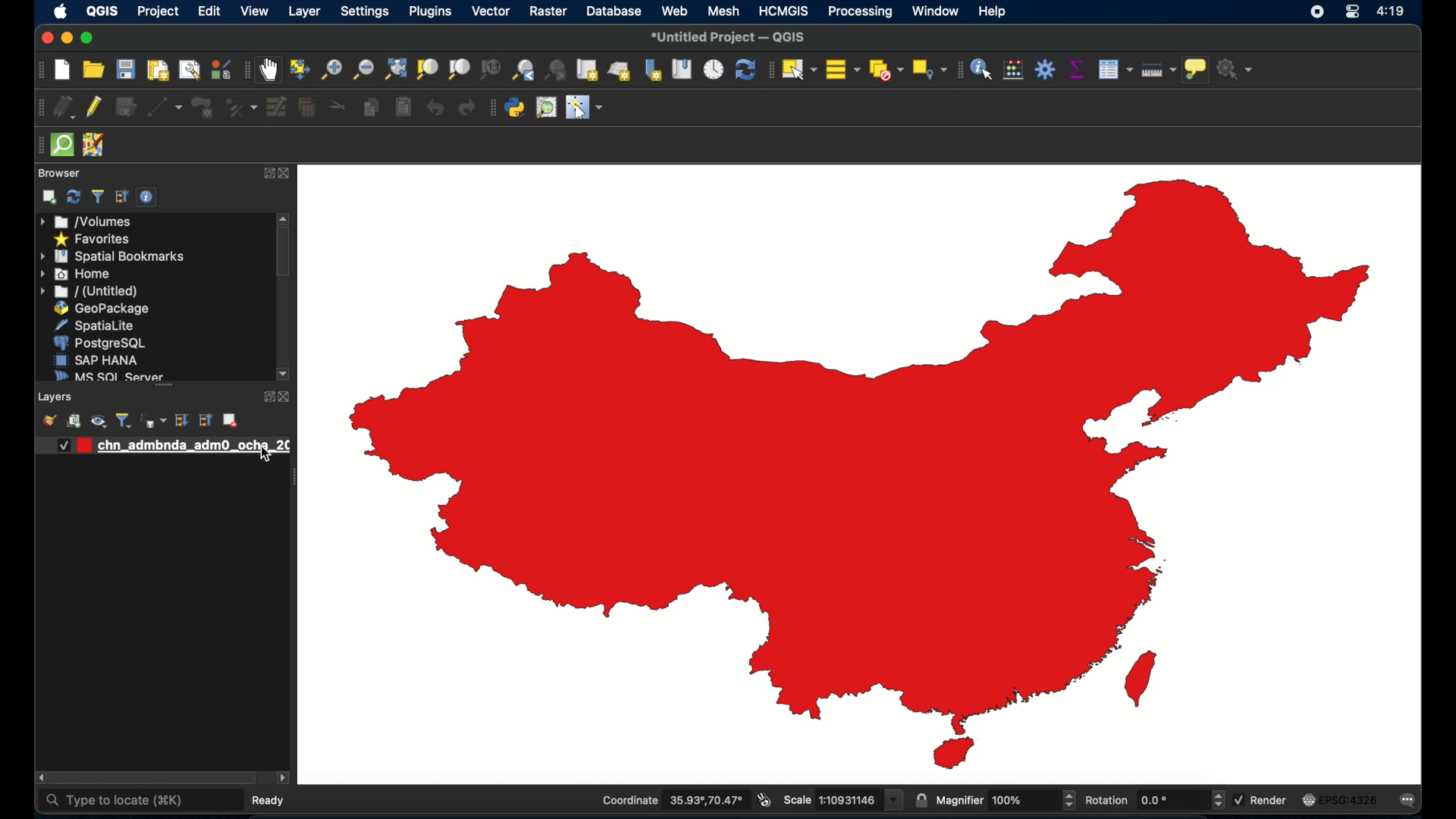  I want to click on layers, so click(164, 389).